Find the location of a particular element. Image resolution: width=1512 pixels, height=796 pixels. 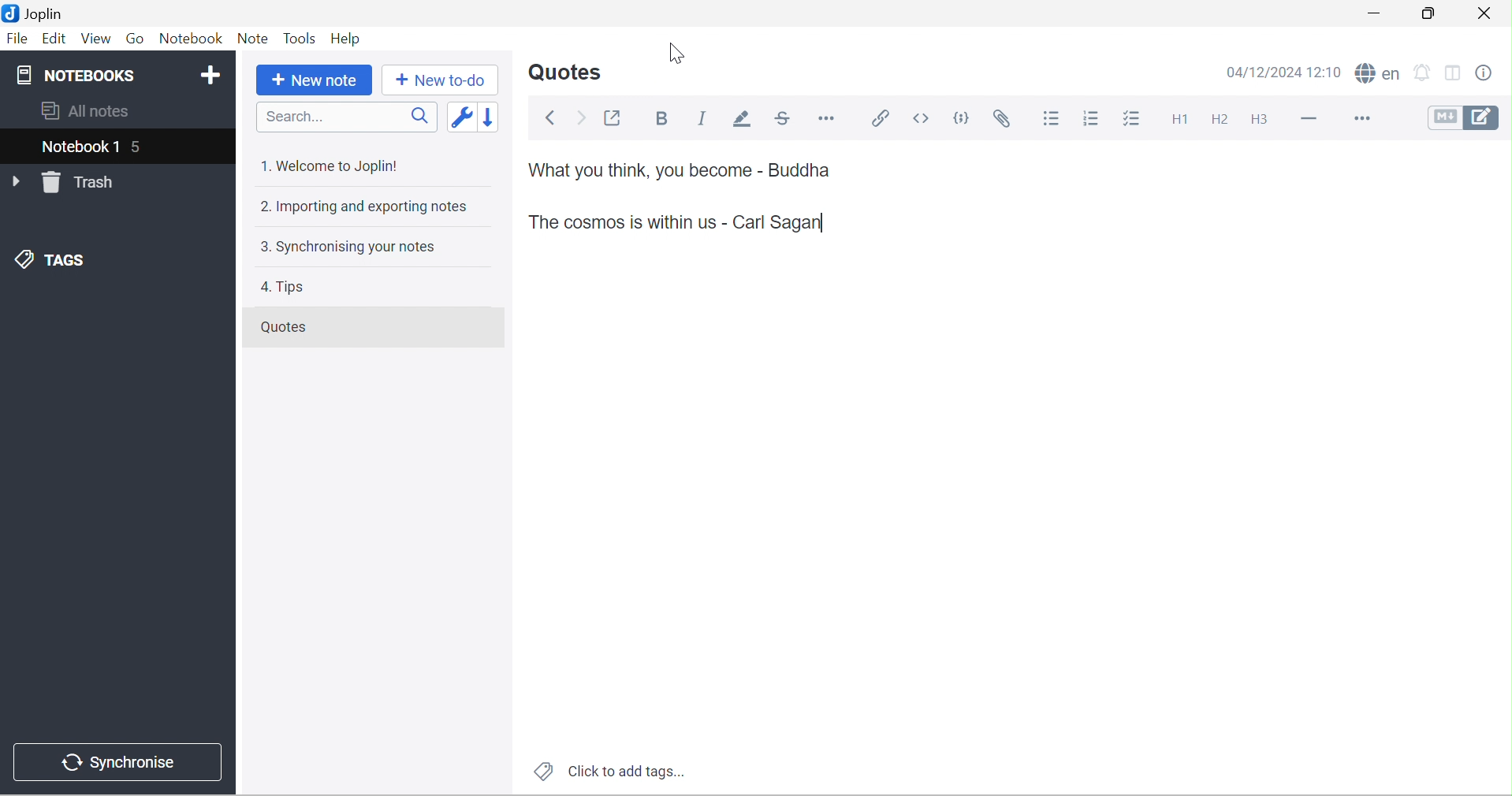

Minimize is located at coordinates (1376, 13).